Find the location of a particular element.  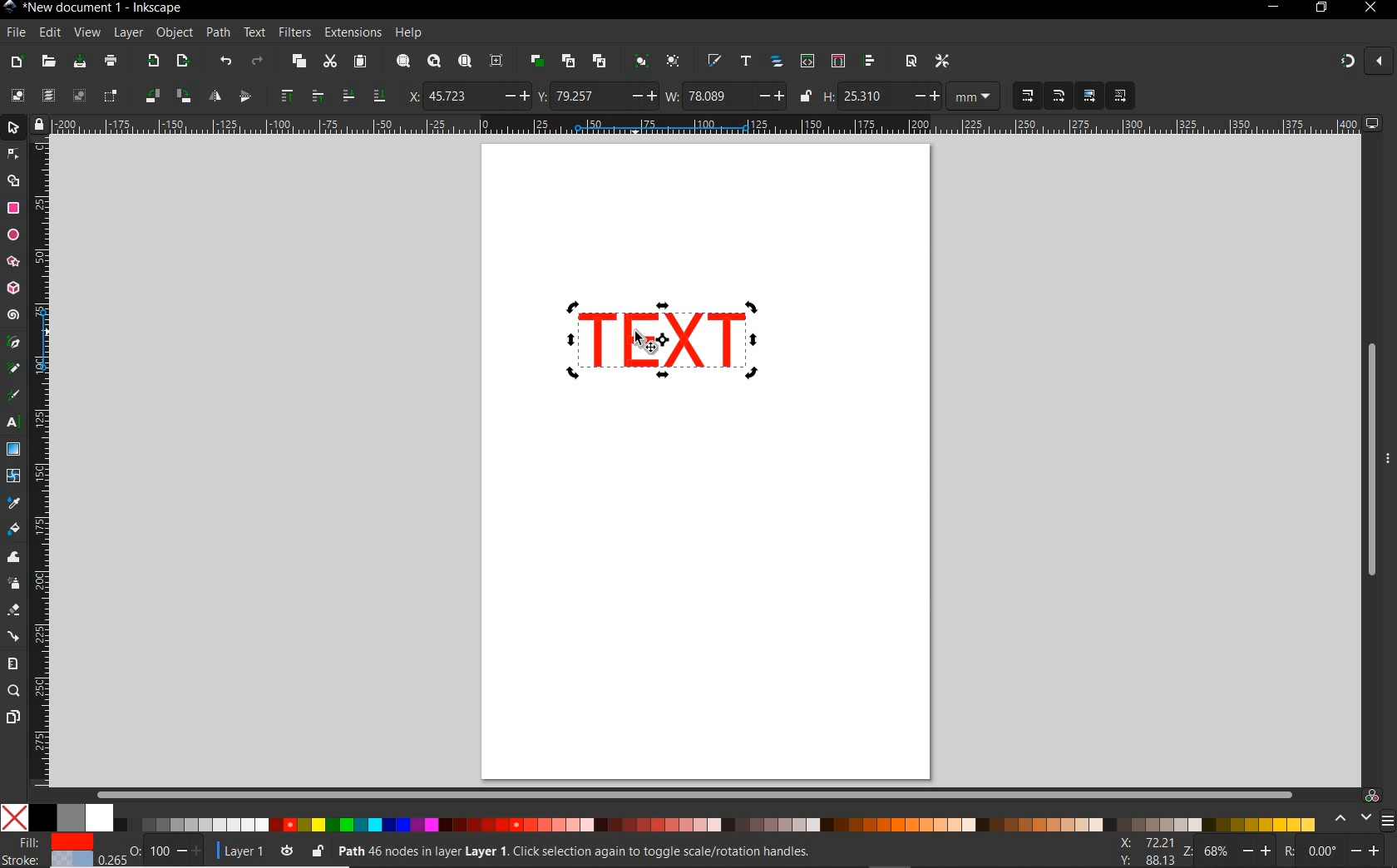

CONNECTOR TOOL is located at coordinates (14, 637).